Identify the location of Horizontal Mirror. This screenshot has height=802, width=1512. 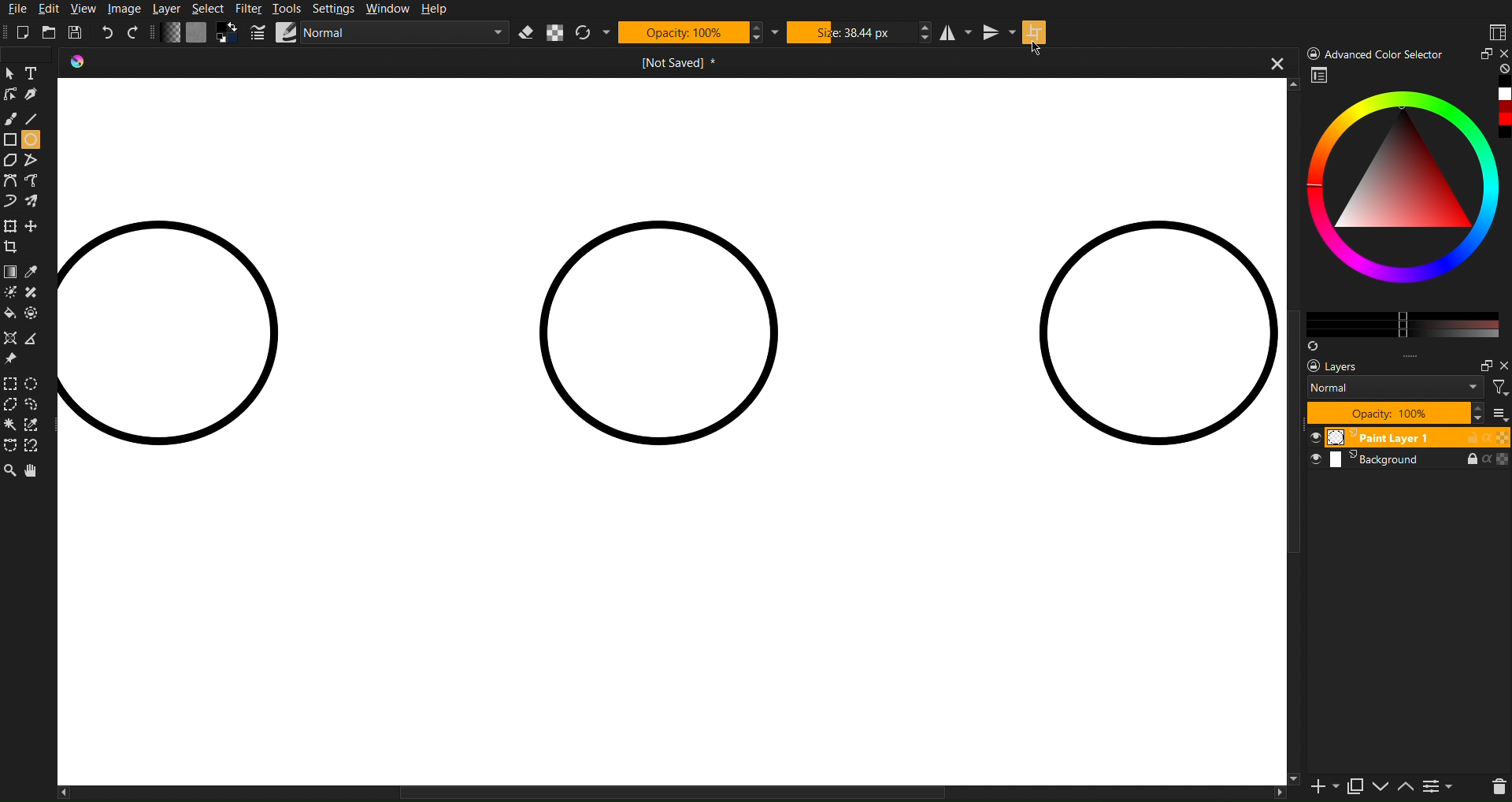
(957, 32).